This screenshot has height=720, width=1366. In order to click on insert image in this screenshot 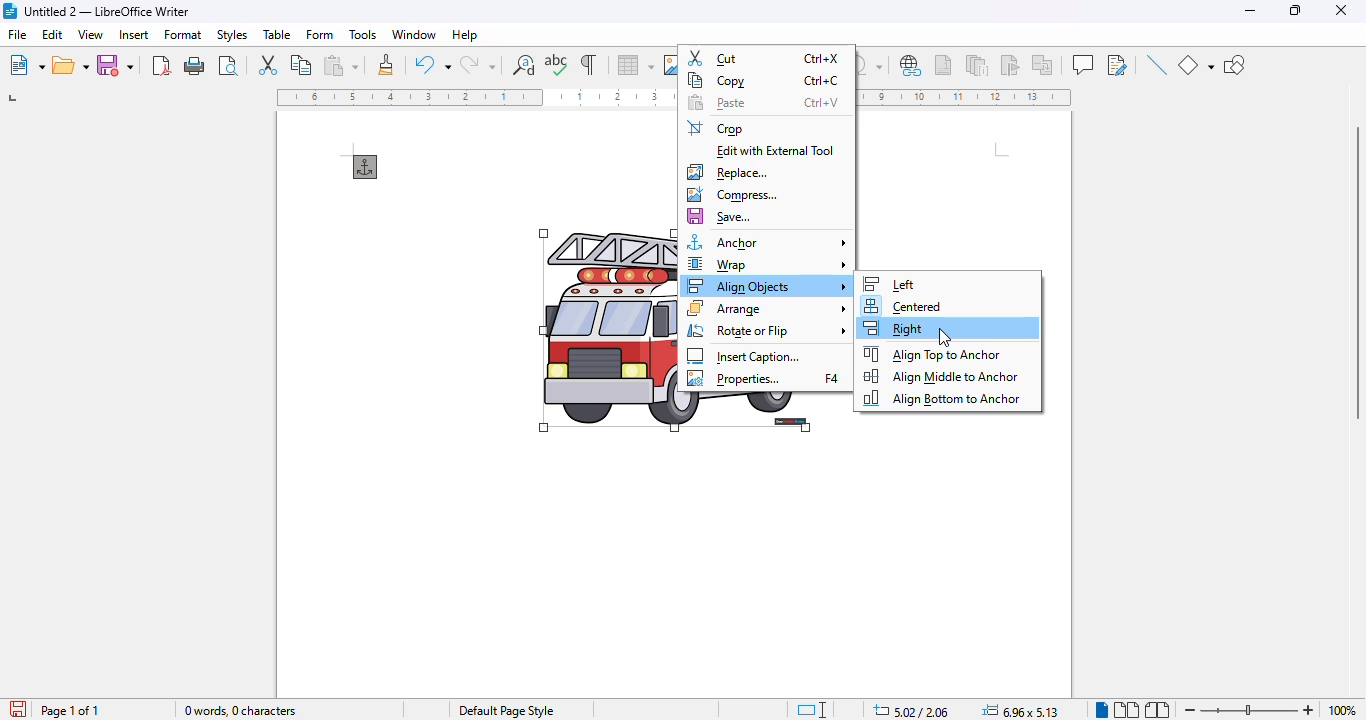, I will do `click(670, 65)`.